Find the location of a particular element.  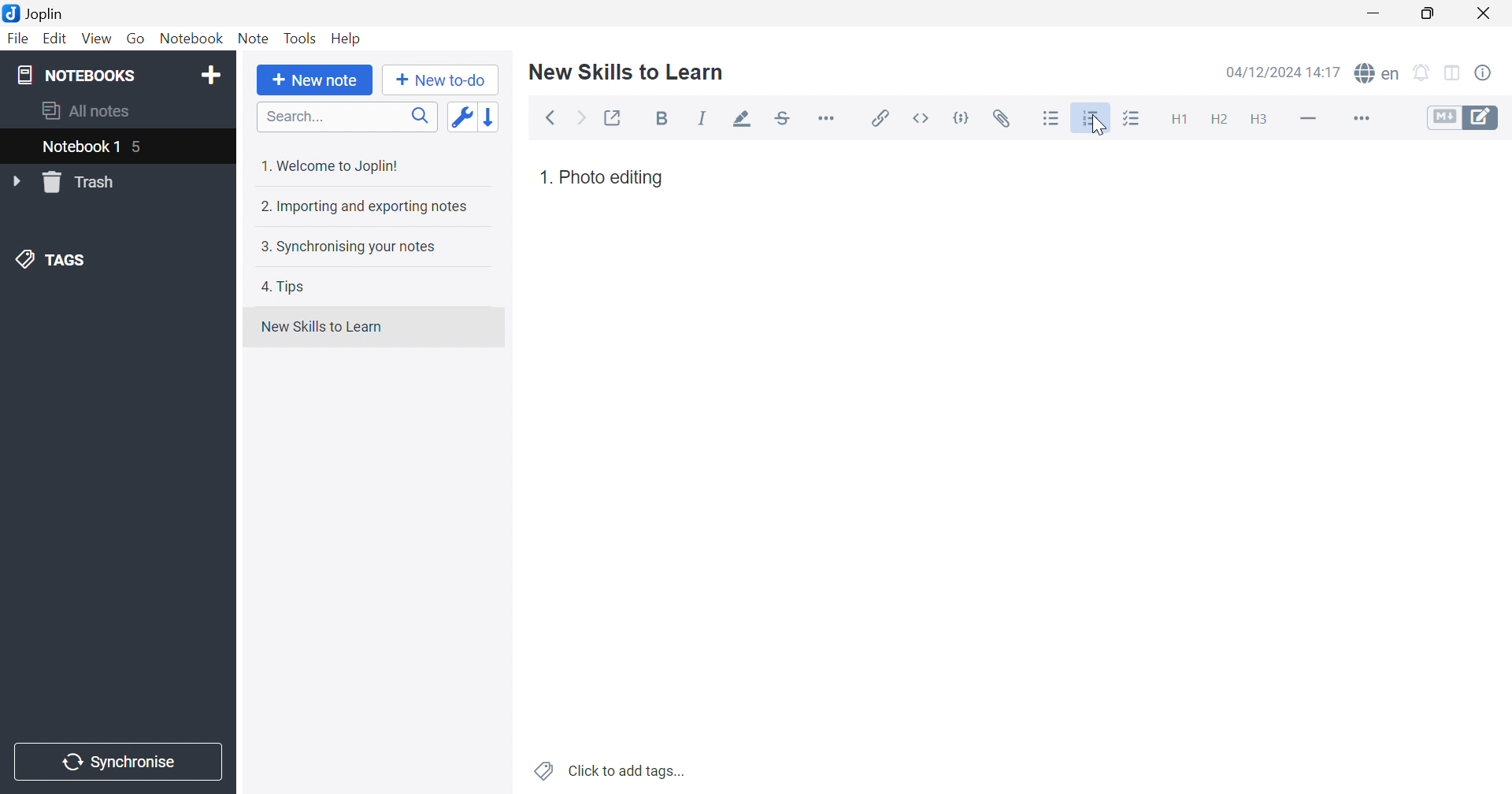

Joplin is located at coordinates (33, 12).